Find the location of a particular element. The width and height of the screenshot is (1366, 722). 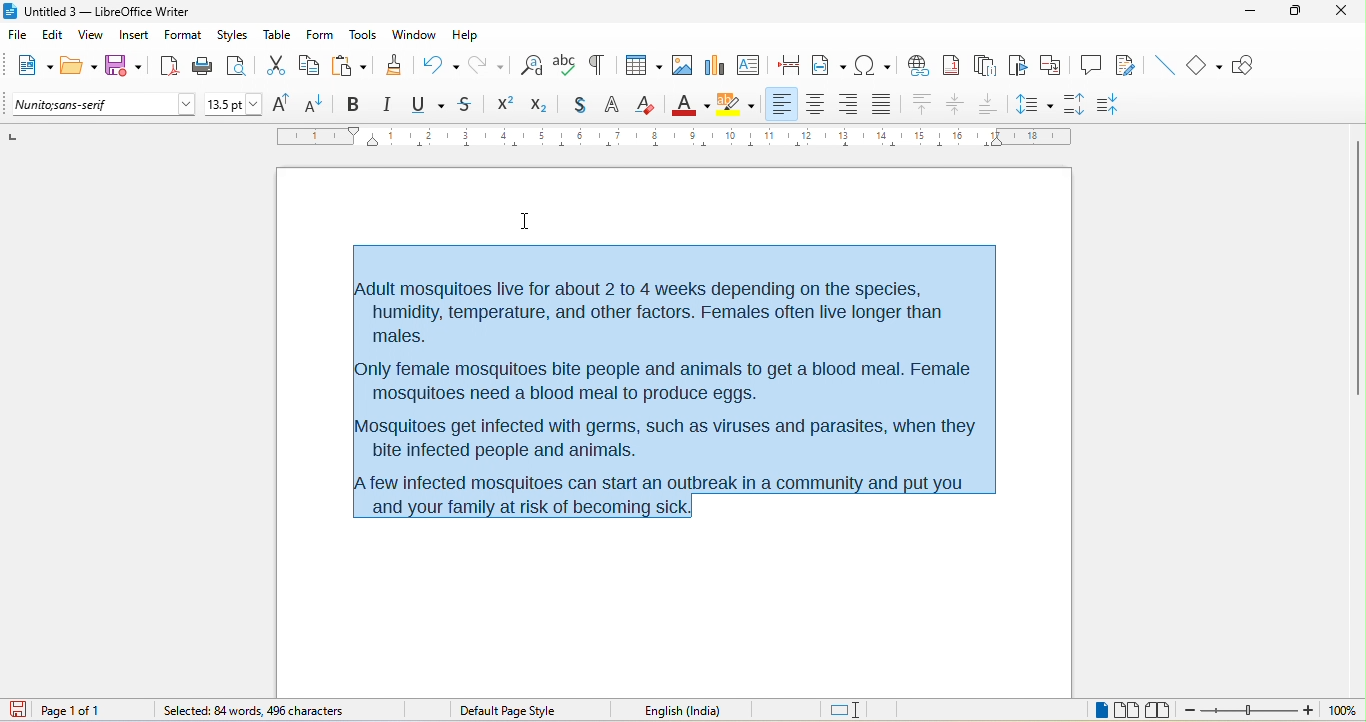

align bottom is located at coordinates (989, 103).